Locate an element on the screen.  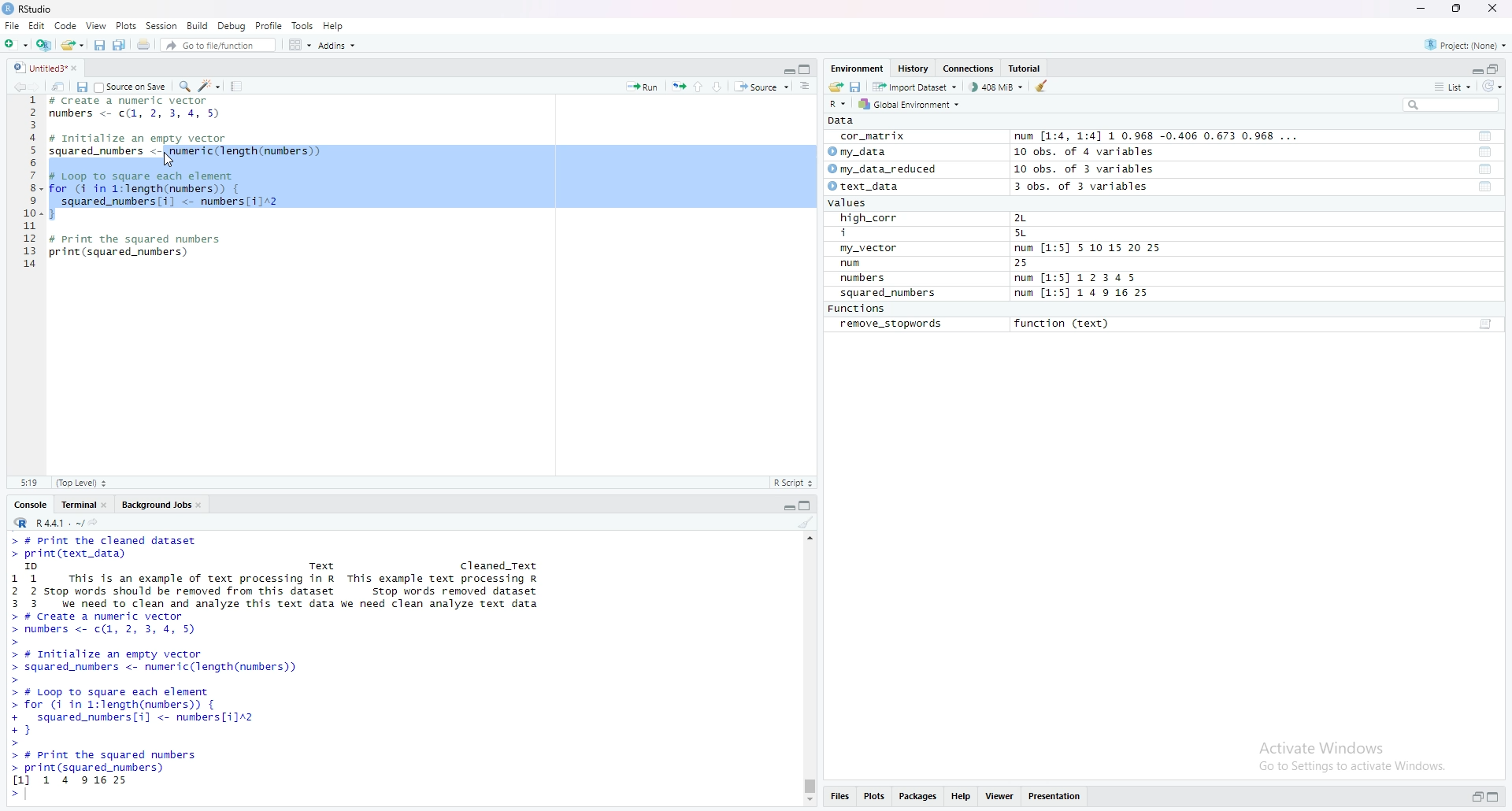
function (text) is located at coordinates (1064, 324).